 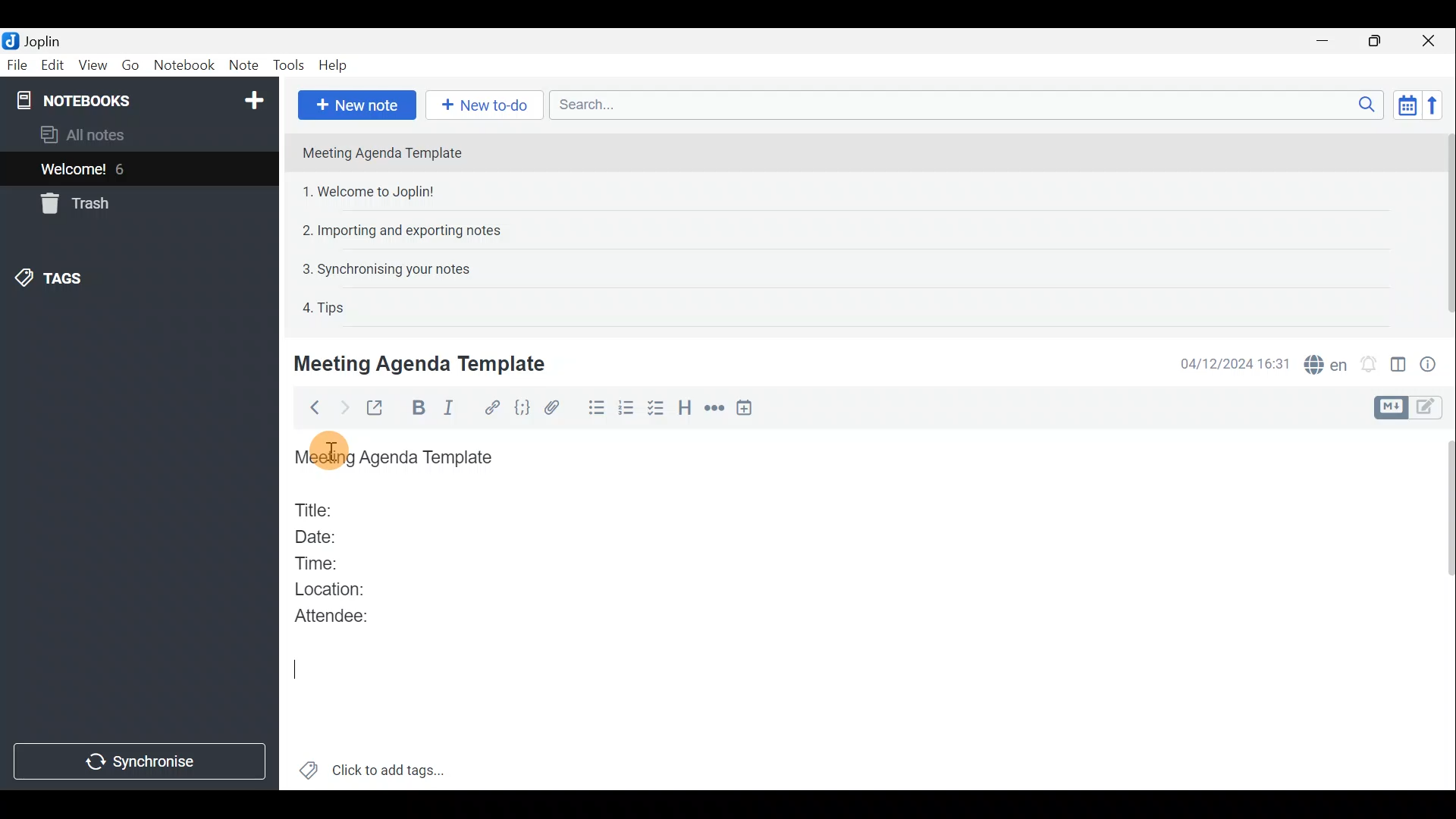 What do you see at coordinates (17, 64) in the screenshot?
I see `File` at bounding box center [17, 64].